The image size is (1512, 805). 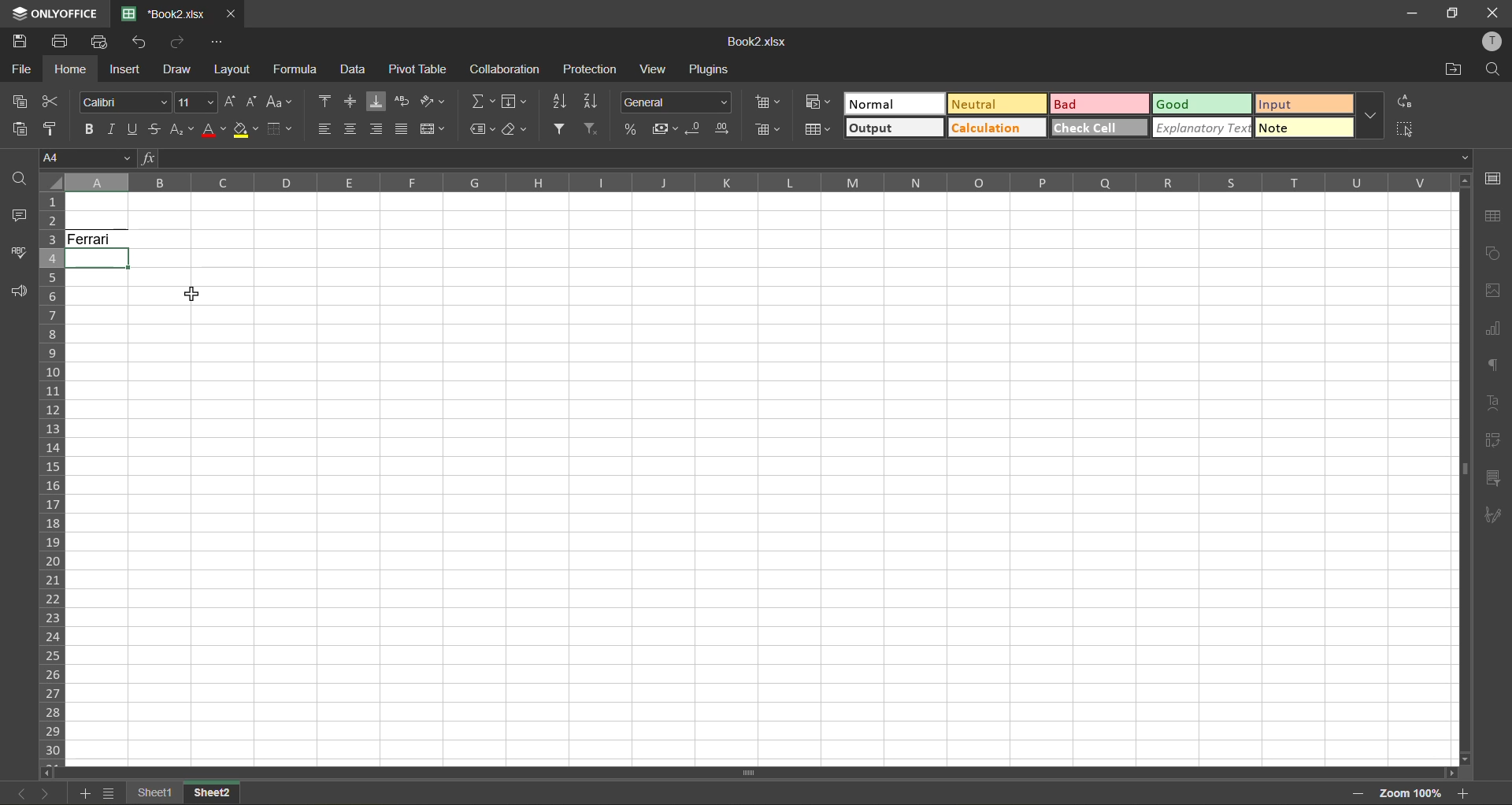 What do you see at coordinates (298, 69) in the screenshot?
I see `formula` at bounding box center [298, 69].